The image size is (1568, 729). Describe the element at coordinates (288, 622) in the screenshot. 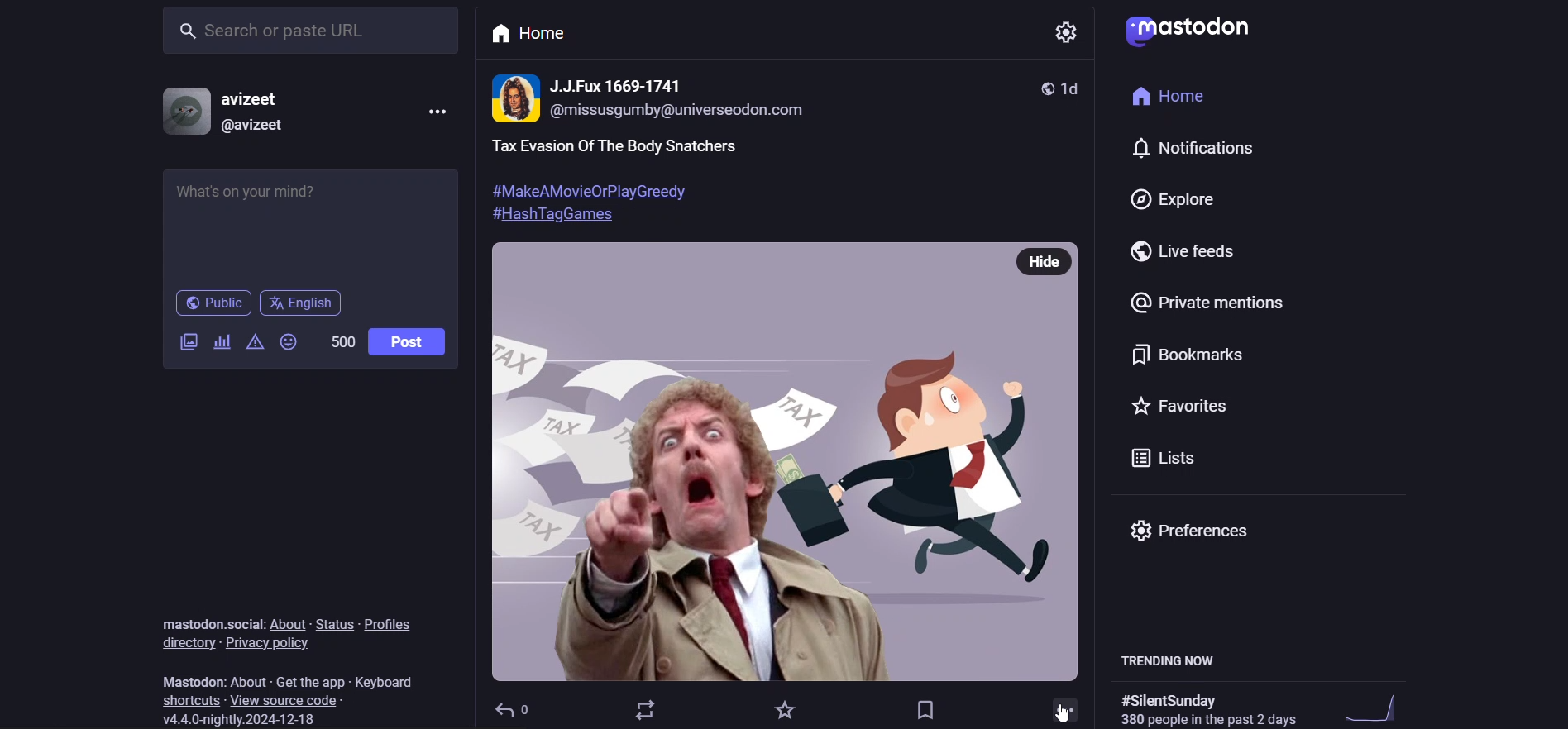

I see `about` at that location.